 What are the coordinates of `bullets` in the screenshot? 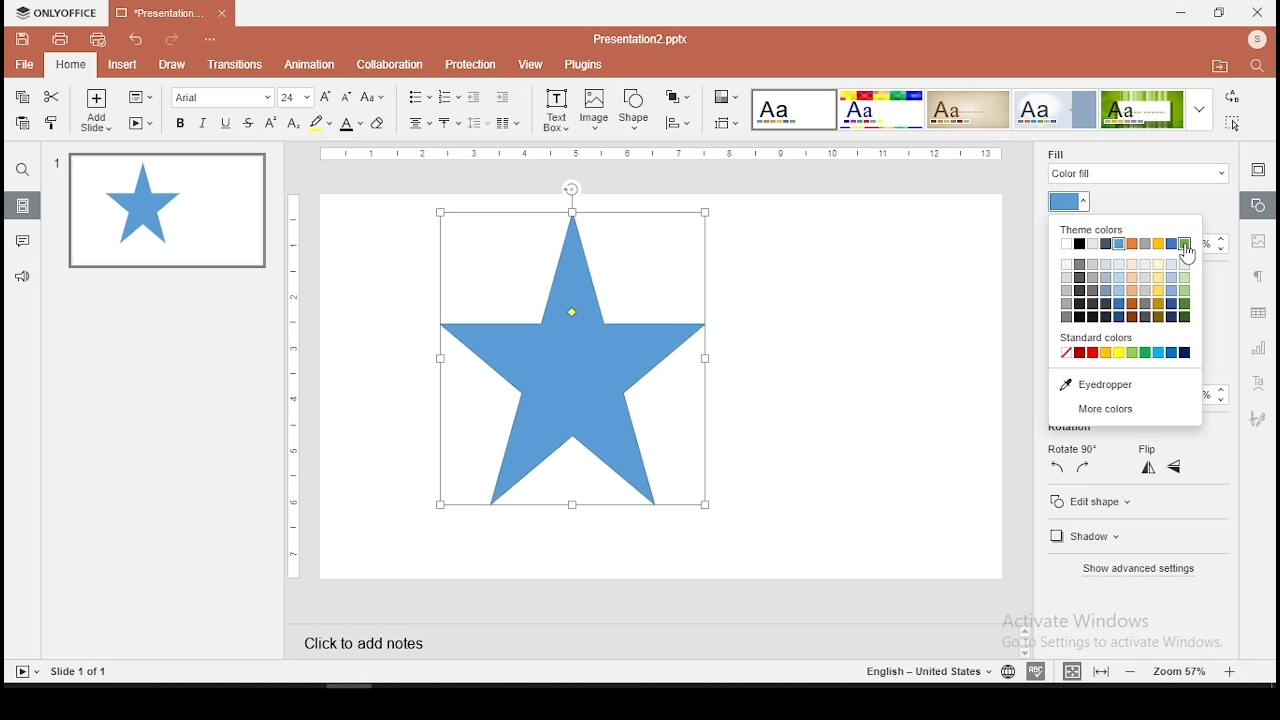 It's located at (419, 97).